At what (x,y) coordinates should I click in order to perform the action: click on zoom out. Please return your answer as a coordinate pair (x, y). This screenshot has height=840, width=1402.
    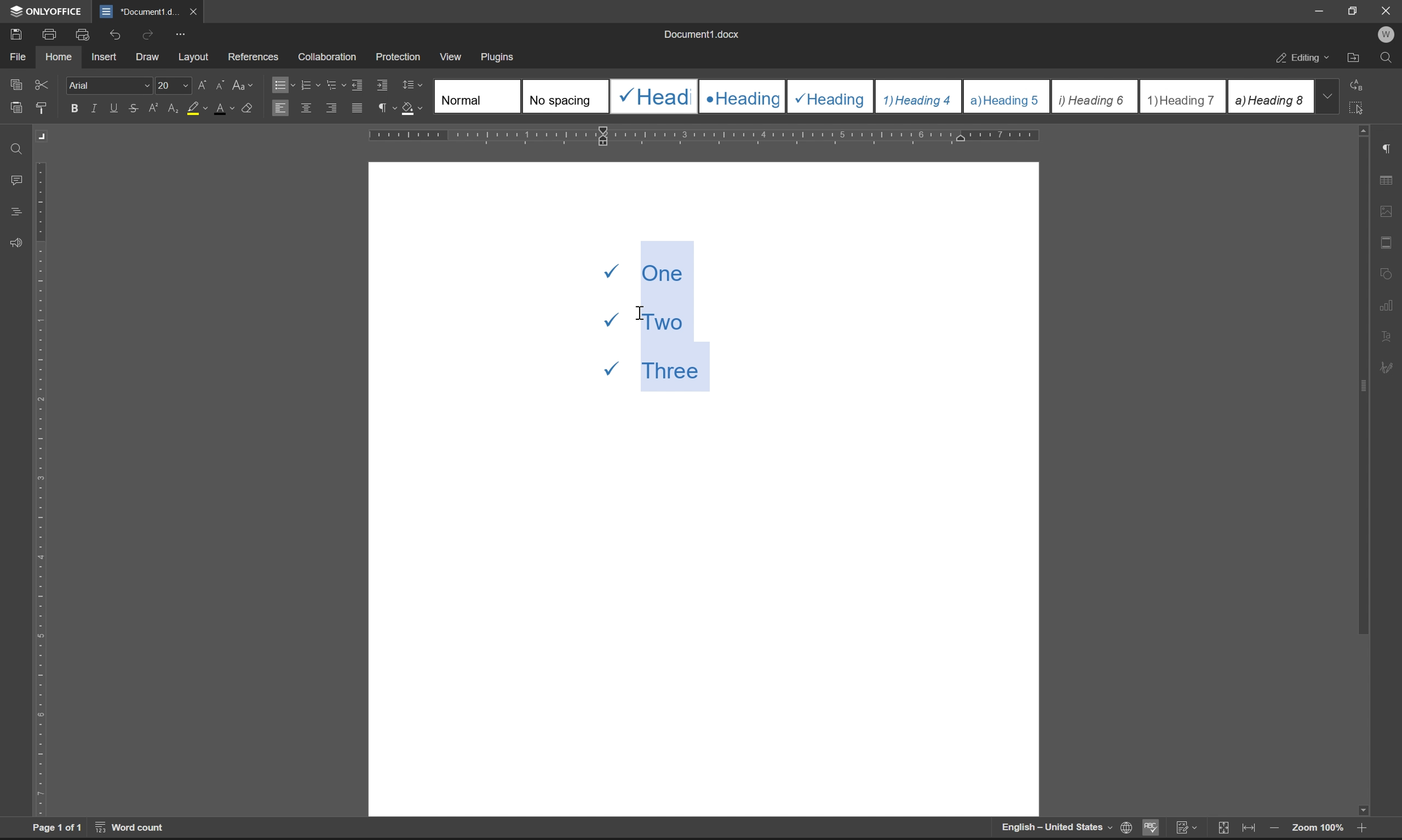
    Looking at the image, I should click on (1274, 829).